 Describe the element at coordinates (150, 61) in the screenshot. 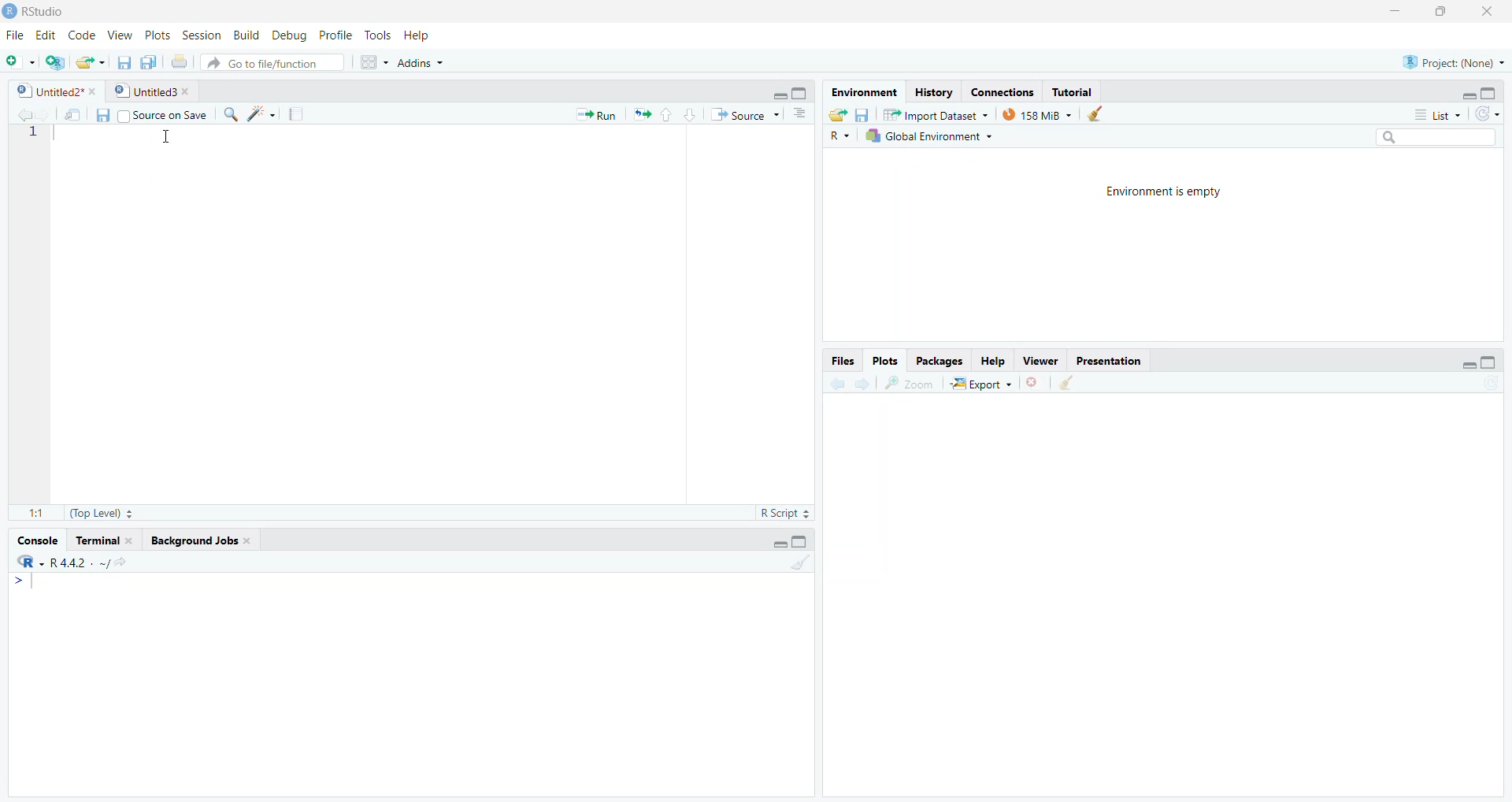

I see `Save all open document` at that location.